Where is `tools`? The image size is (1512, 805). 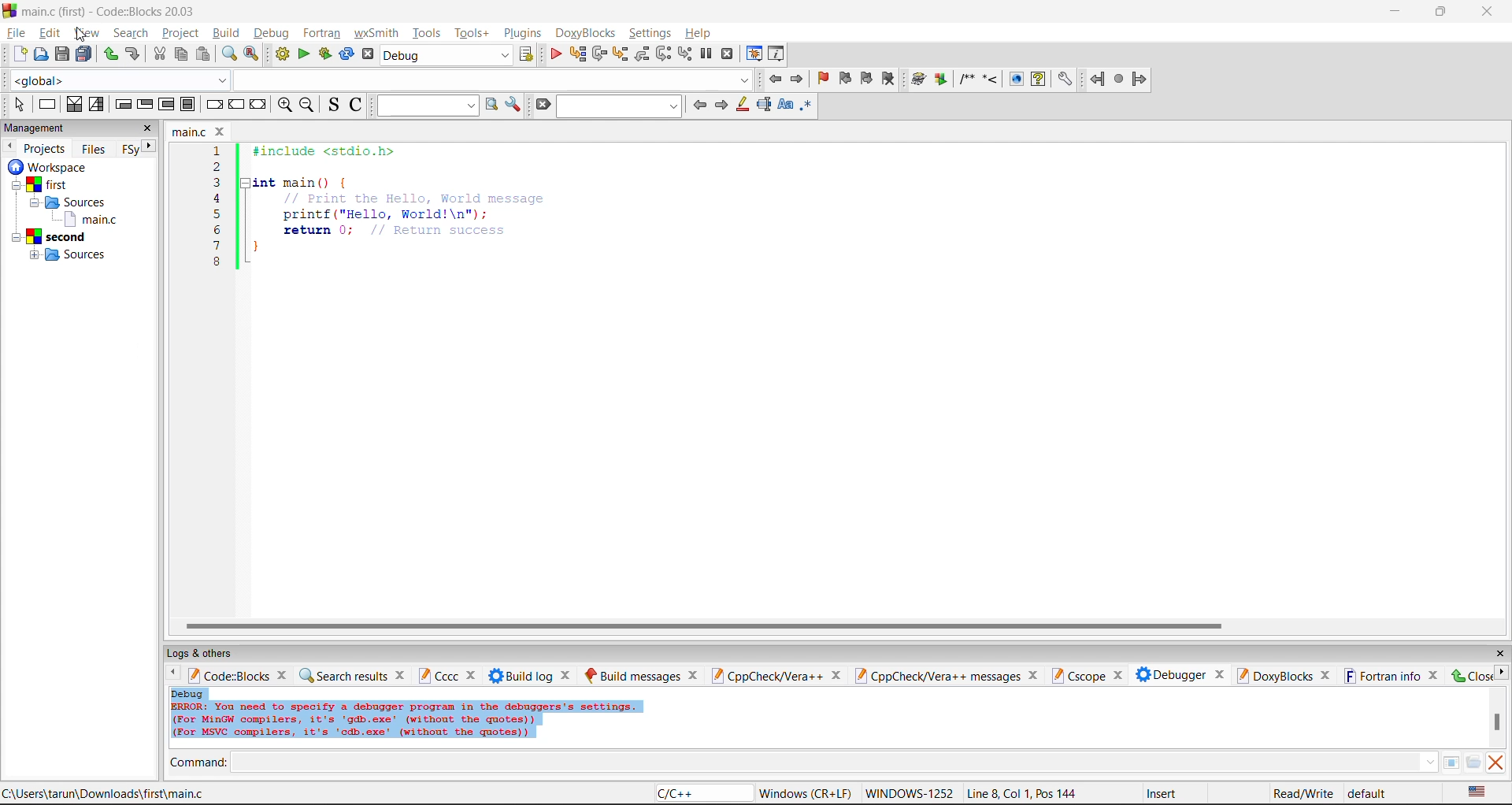
tools is located at coordinates (429, 33).